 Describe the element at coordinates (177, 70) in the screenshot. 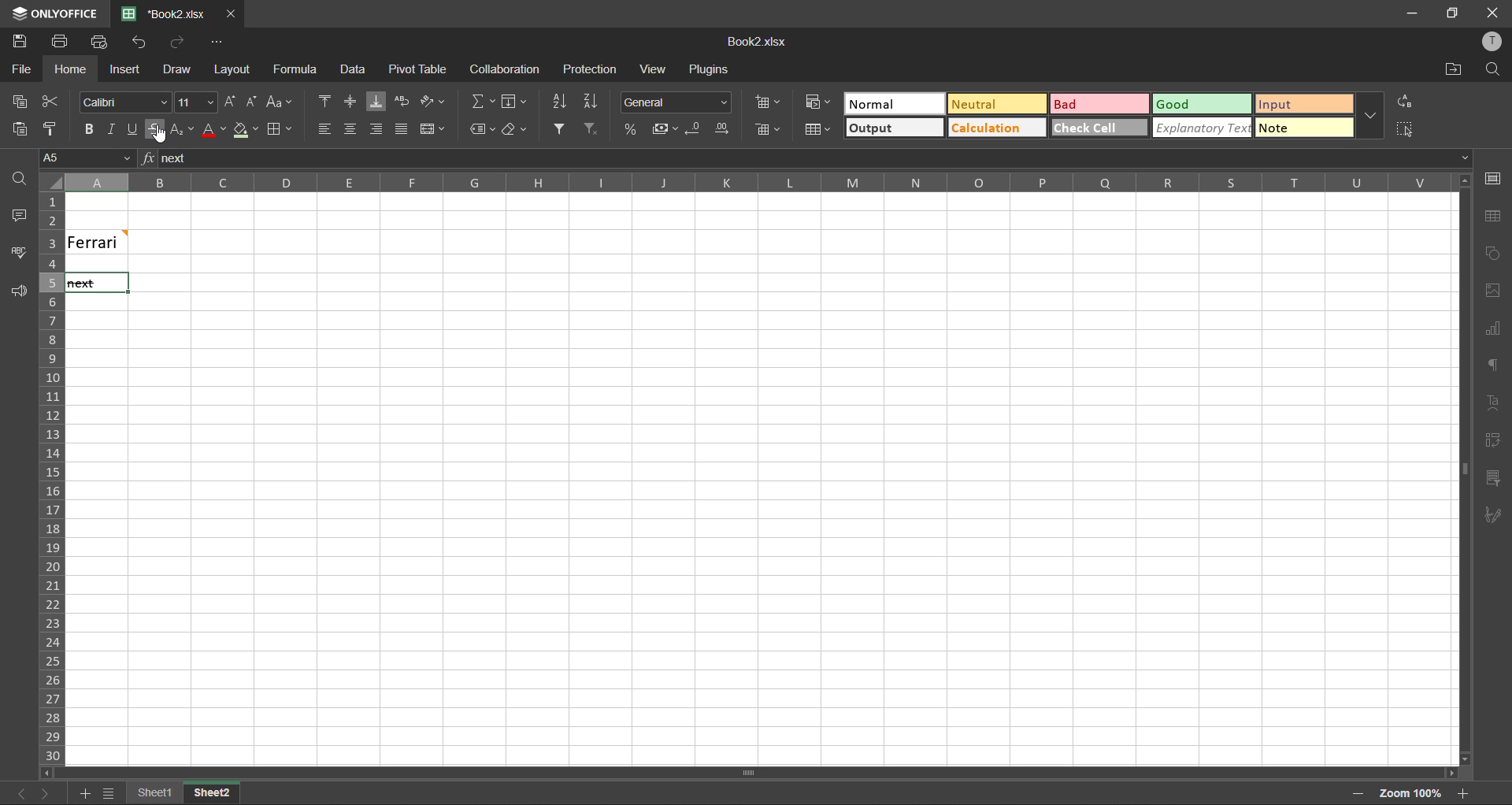

I see `draw` at that location.